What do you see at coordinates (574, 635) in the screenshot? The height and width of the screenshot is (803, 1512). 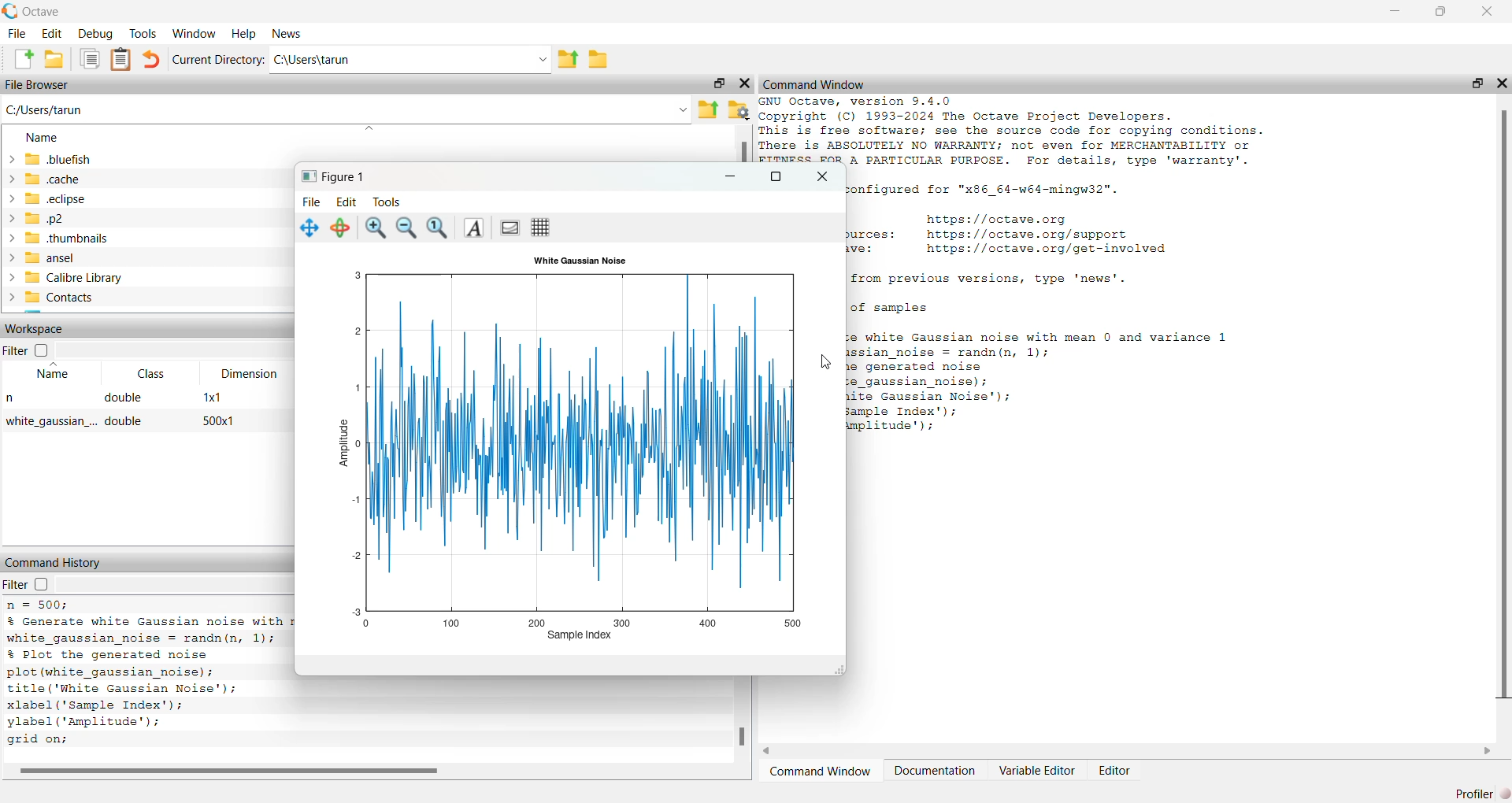 I see `sample index` at bounding box center [574, 635].